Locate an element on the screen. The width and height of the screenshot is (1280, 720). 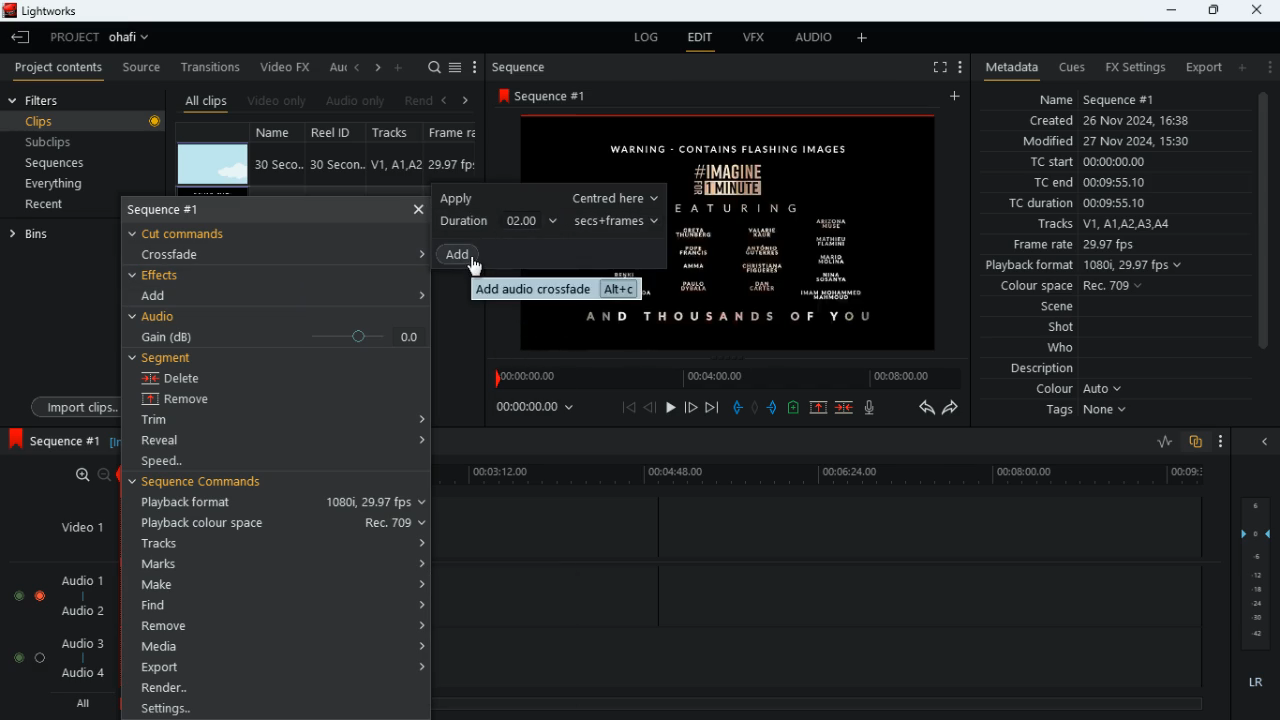
toggle is located at coordinates (14, 657).